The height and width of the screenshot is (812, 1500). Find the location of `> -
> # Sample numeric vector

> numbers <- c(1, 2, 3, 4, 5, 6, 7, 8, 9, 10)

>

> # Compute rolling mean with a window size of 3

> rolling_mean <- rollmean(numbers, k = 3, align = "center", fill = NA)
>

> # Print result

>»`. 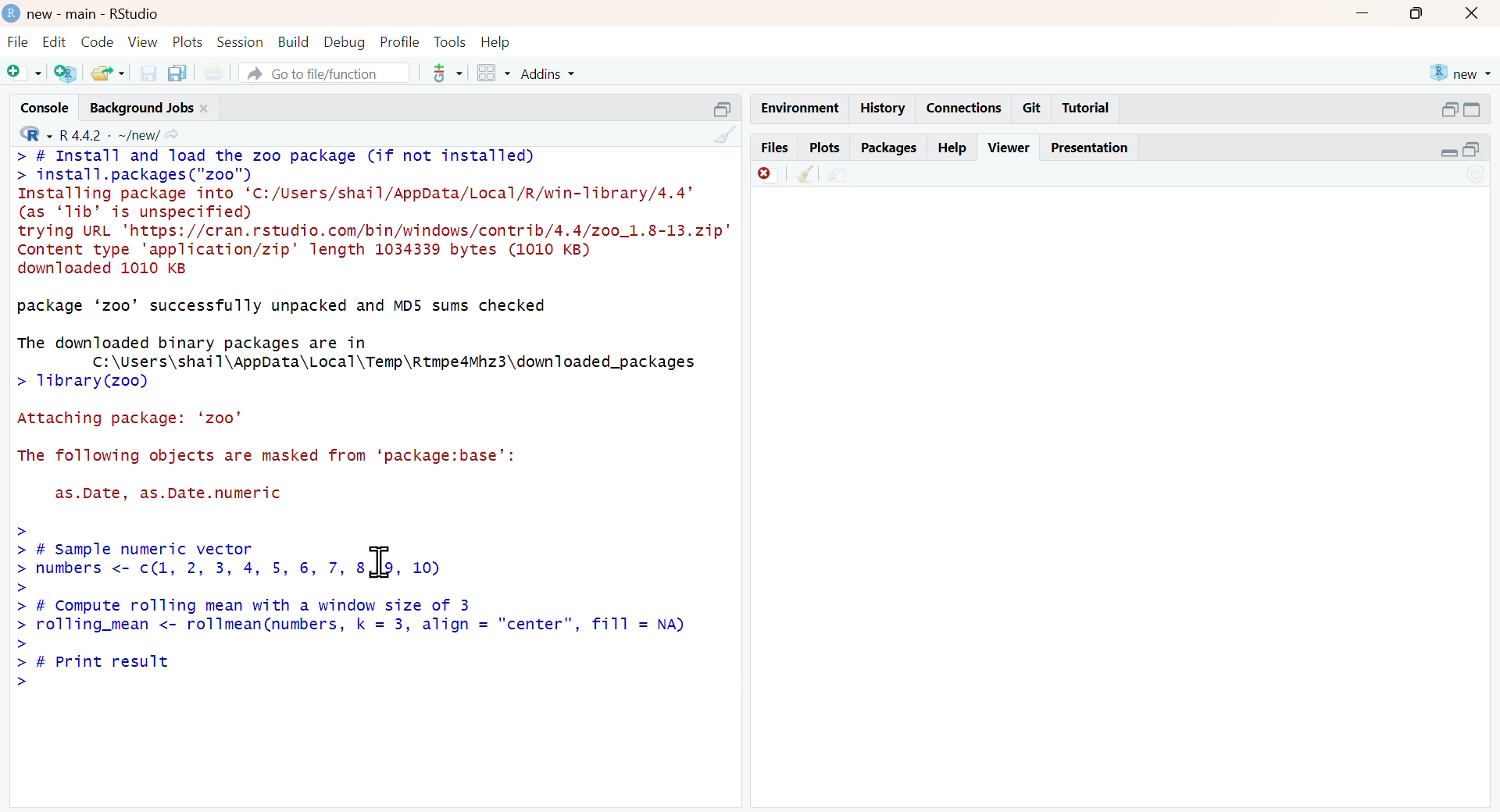

> -
> # Sample numeric vector

> numbers <- c(1, 2, 3, 4, 5, 6, 7, 8, 9, 10)

>

> # Compute rolling mean with a window size of 3

> rolling_mean <- rollmean(numbers, k = 3, align = "center", fill = NA)
>

> # Print result

>» is located at coordinates (350, 607).